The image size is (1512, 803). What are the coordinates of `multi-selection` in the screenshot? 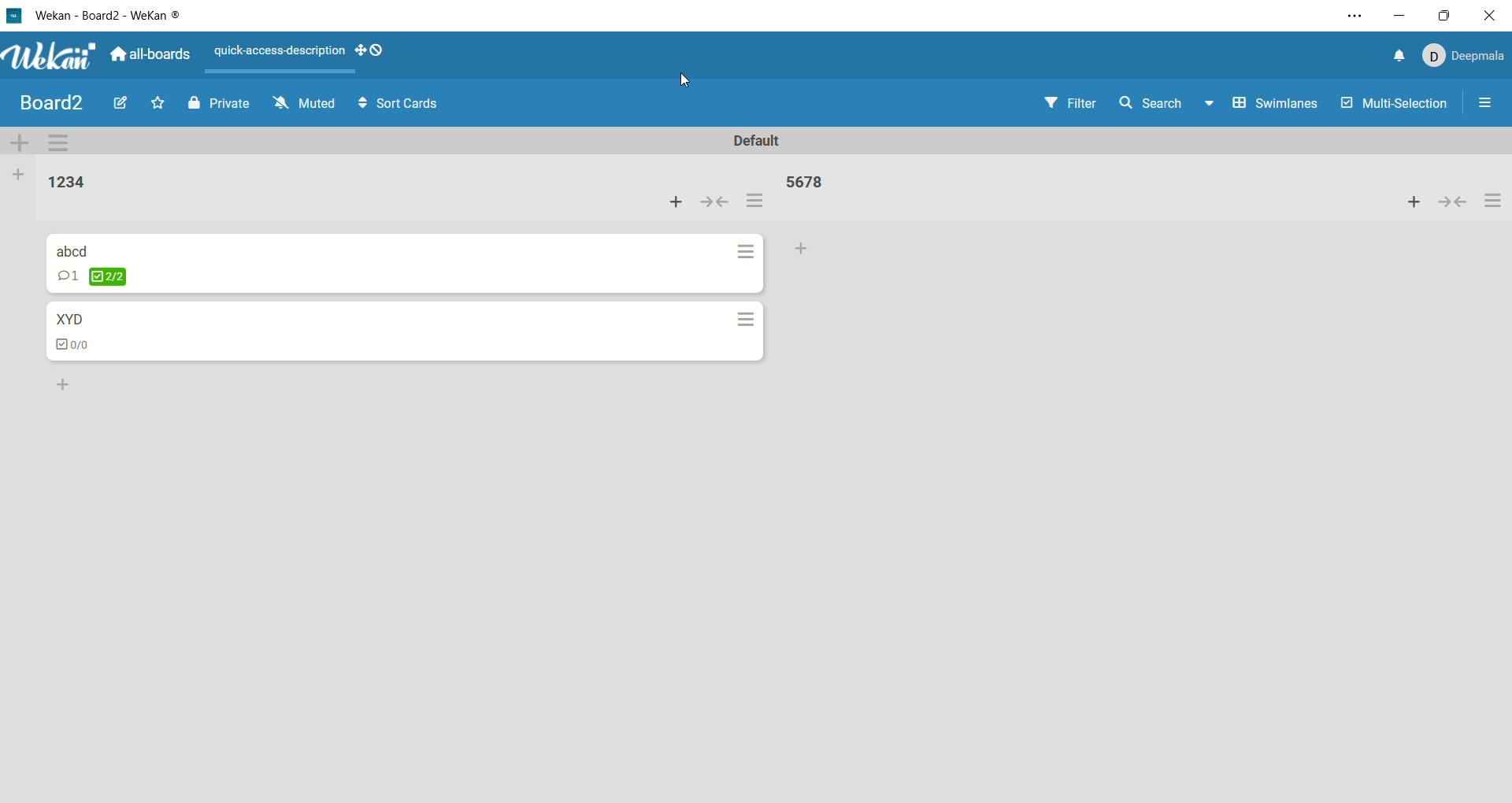 It's located at (1393, 110).